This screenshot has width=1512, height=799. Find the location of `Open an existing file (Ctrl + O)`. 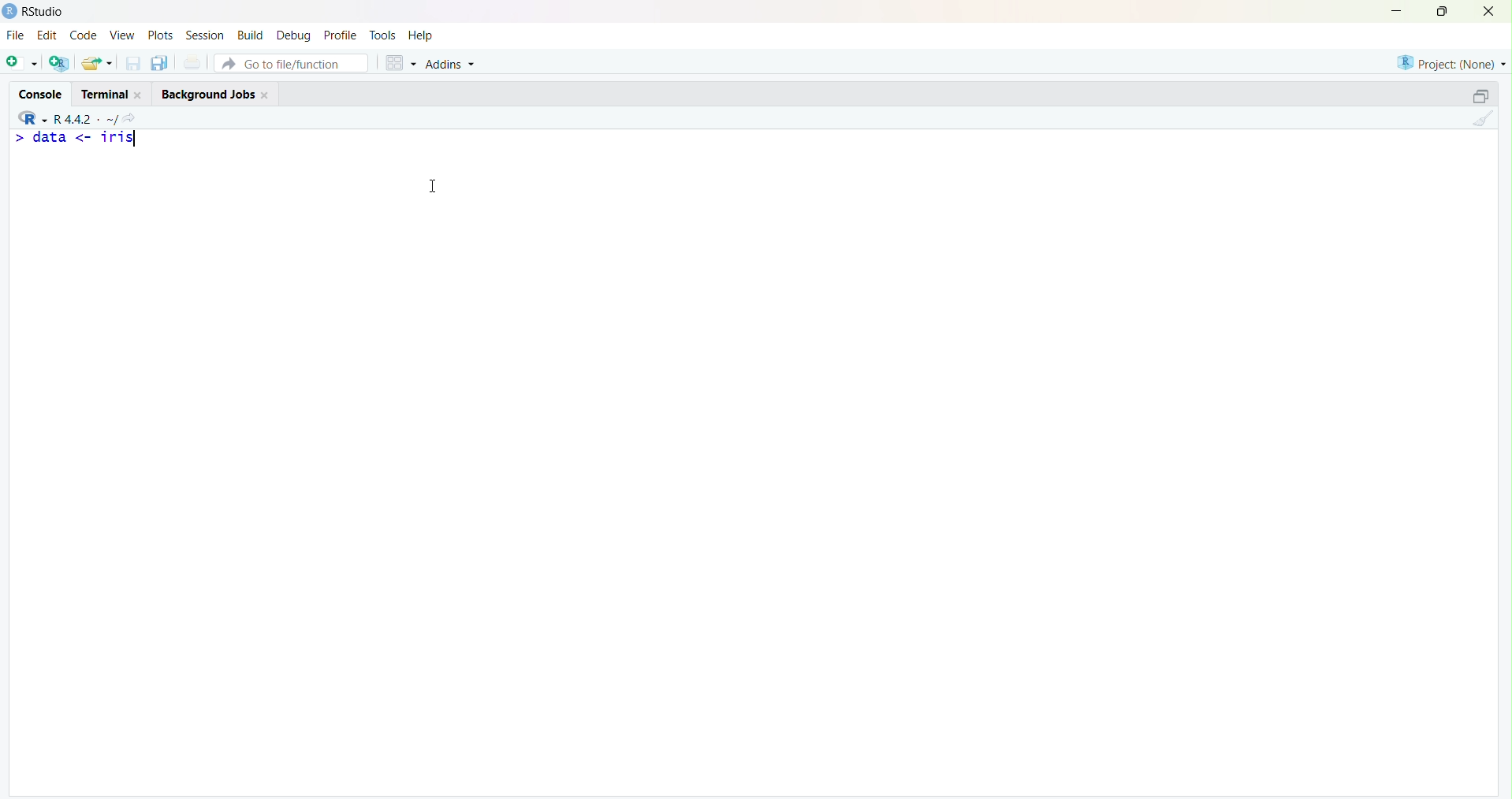

Open an existing file (Ctrl + O) is located at coordinates (99, 63).